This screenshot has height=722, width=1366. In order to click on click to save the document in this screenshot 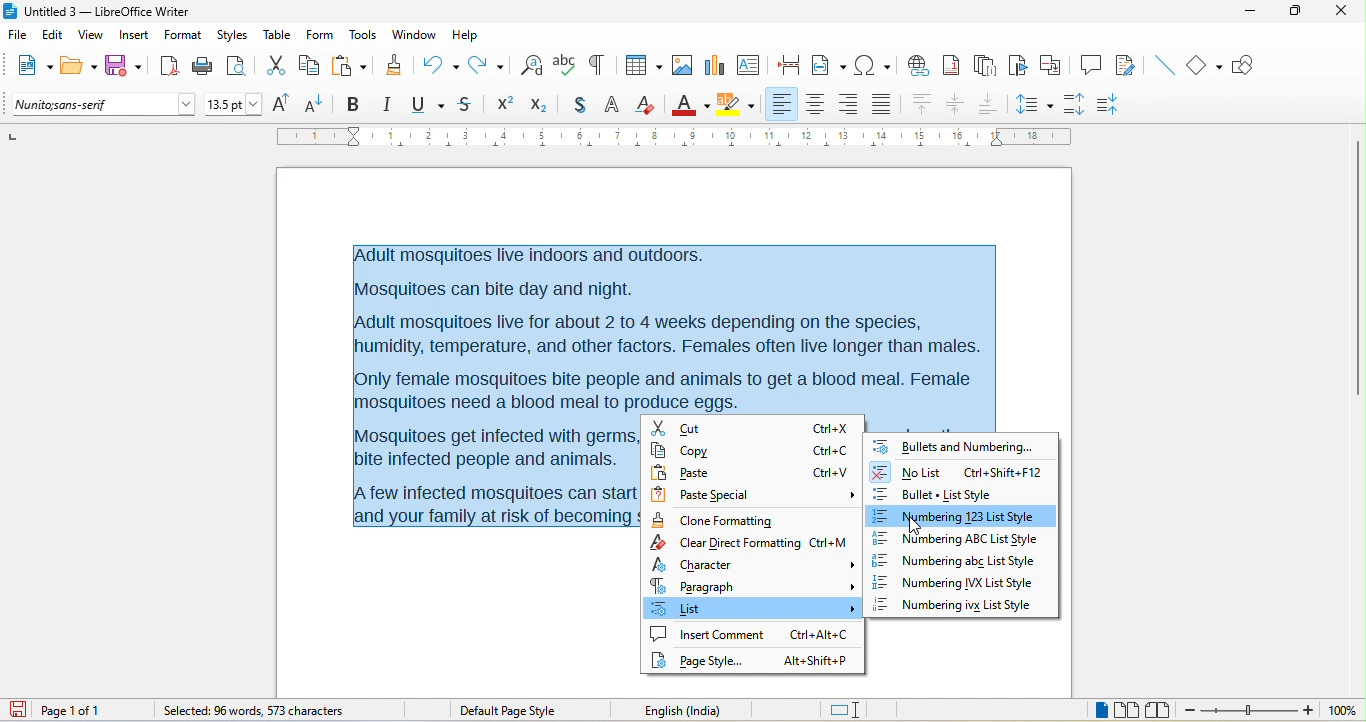, I will do `click(23, 711)`.